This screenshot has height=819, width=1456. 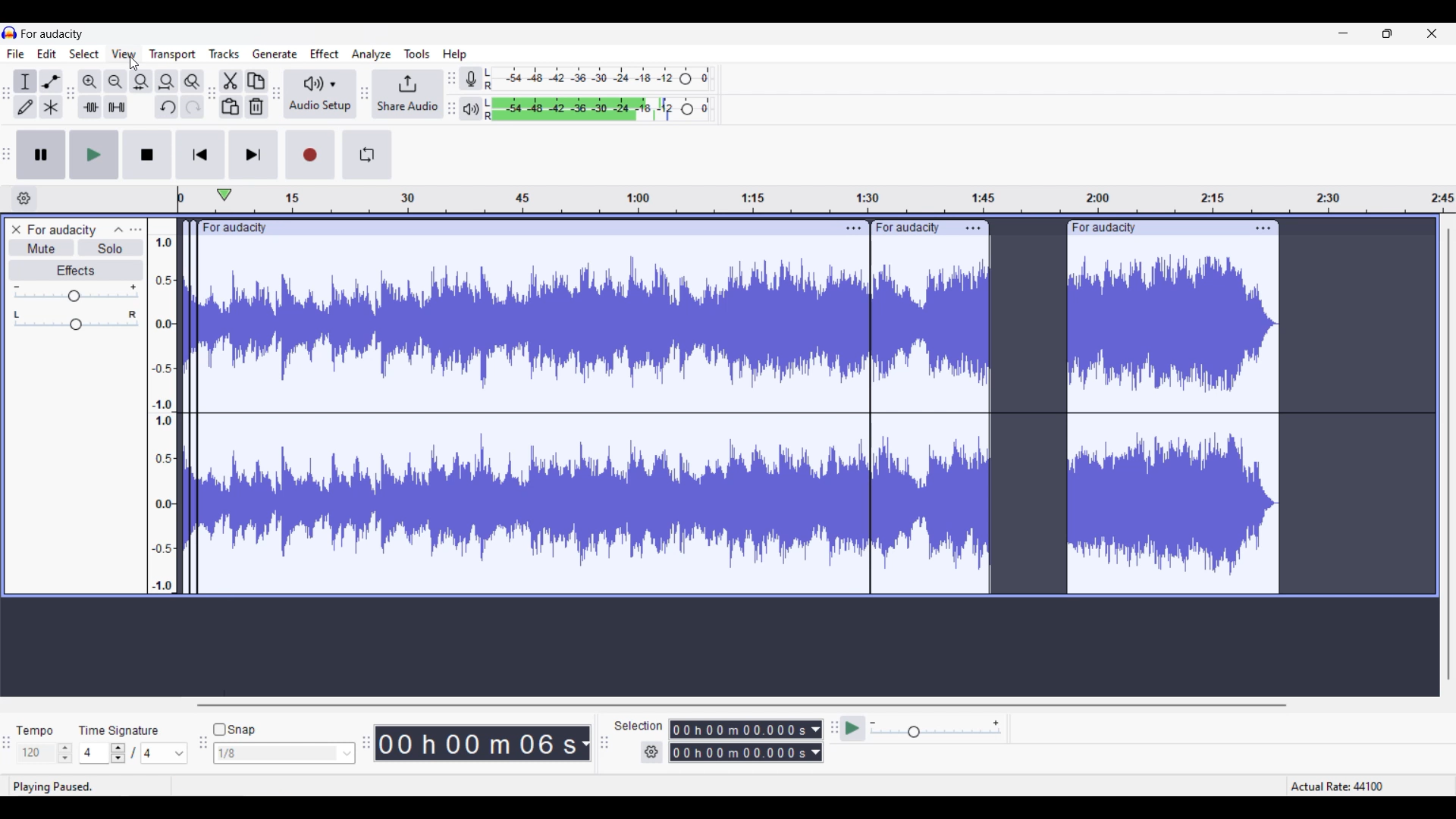 What do you see at coordinates (25, 81) in the screenshot?
I see `Selection tool` at bounding box center [25, 81].